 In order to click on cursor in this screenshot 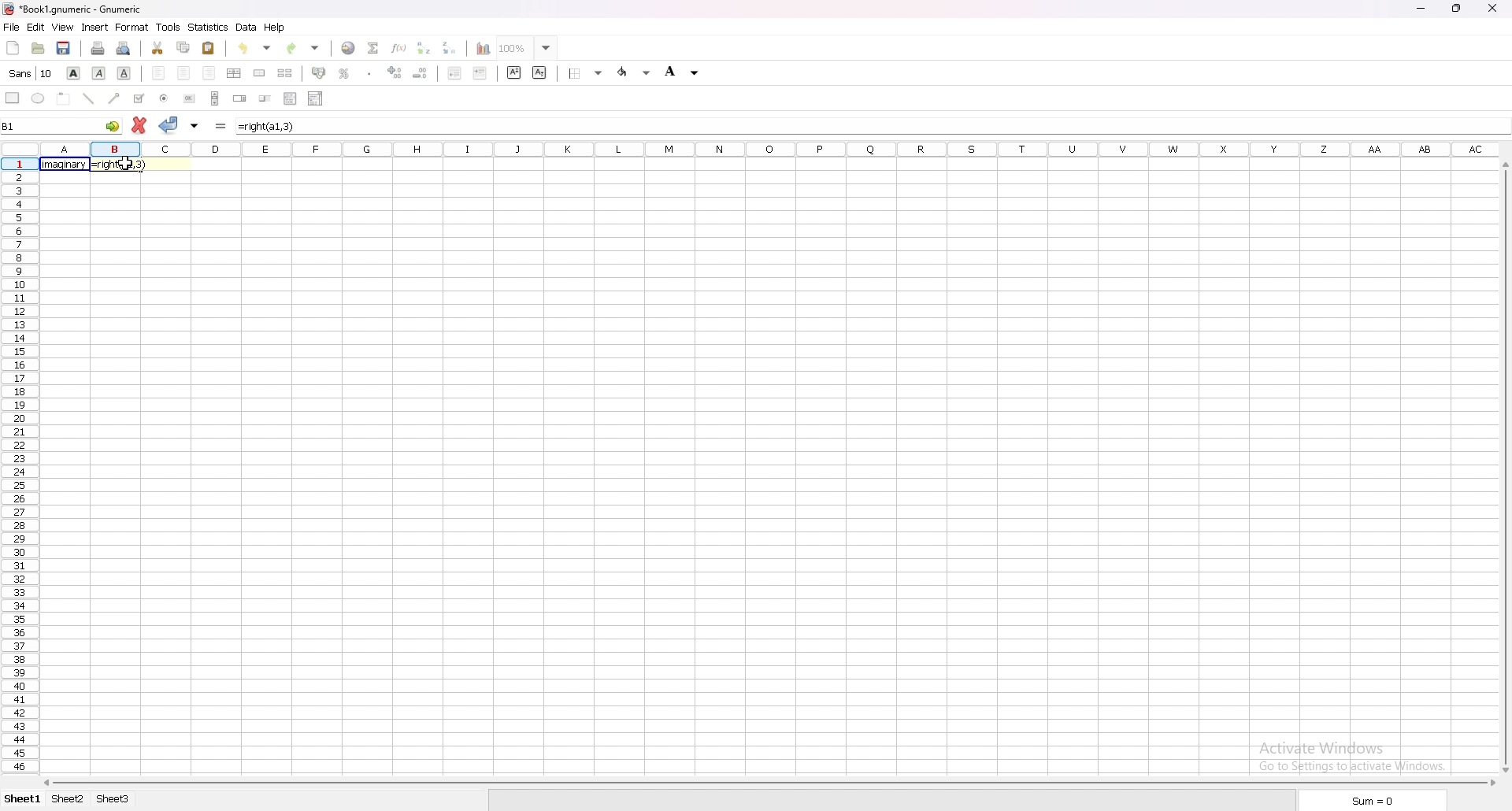, I will do `click(124, 164)`.